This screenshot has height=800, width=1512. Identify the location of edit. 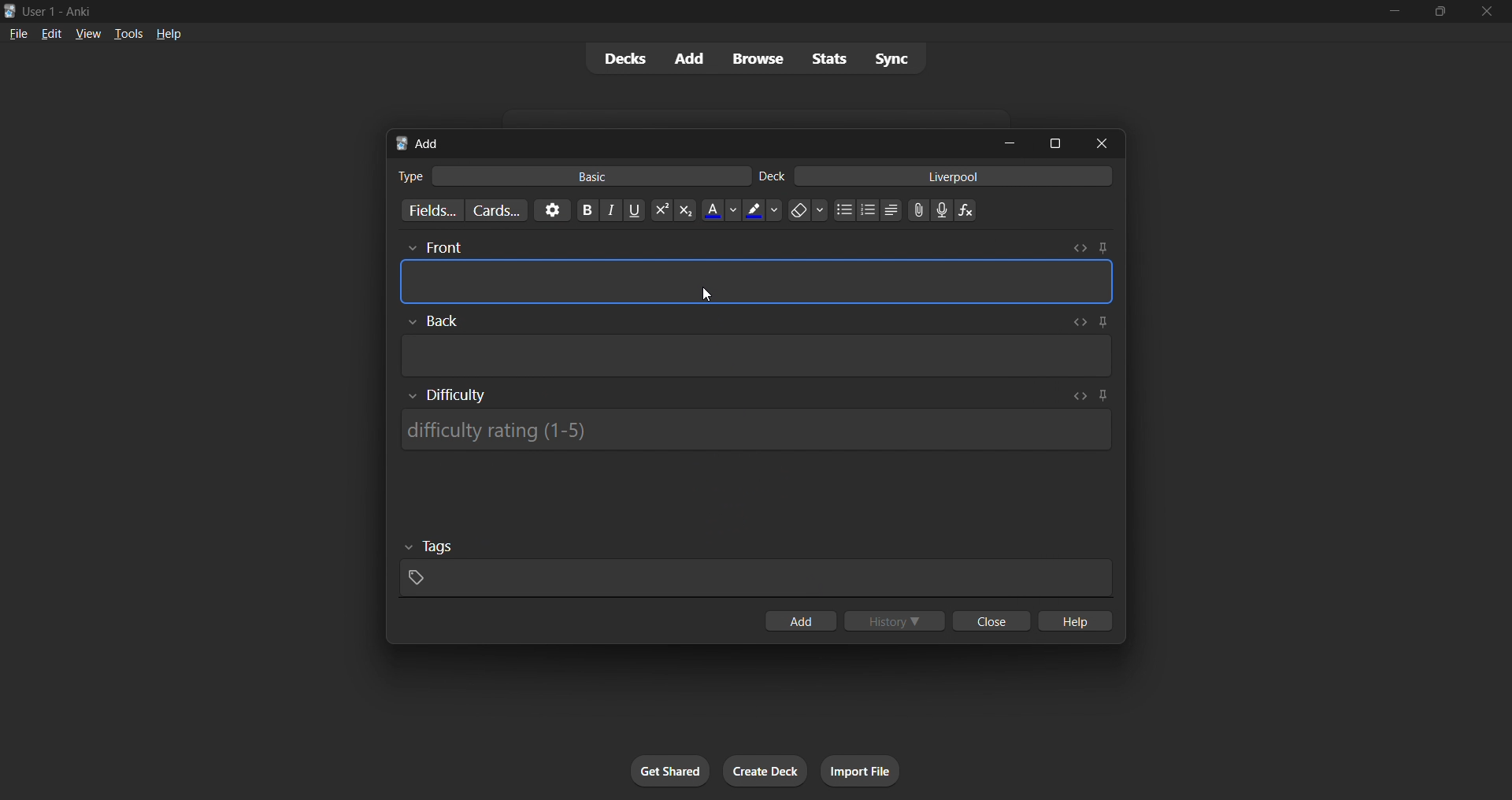
(52, 33).